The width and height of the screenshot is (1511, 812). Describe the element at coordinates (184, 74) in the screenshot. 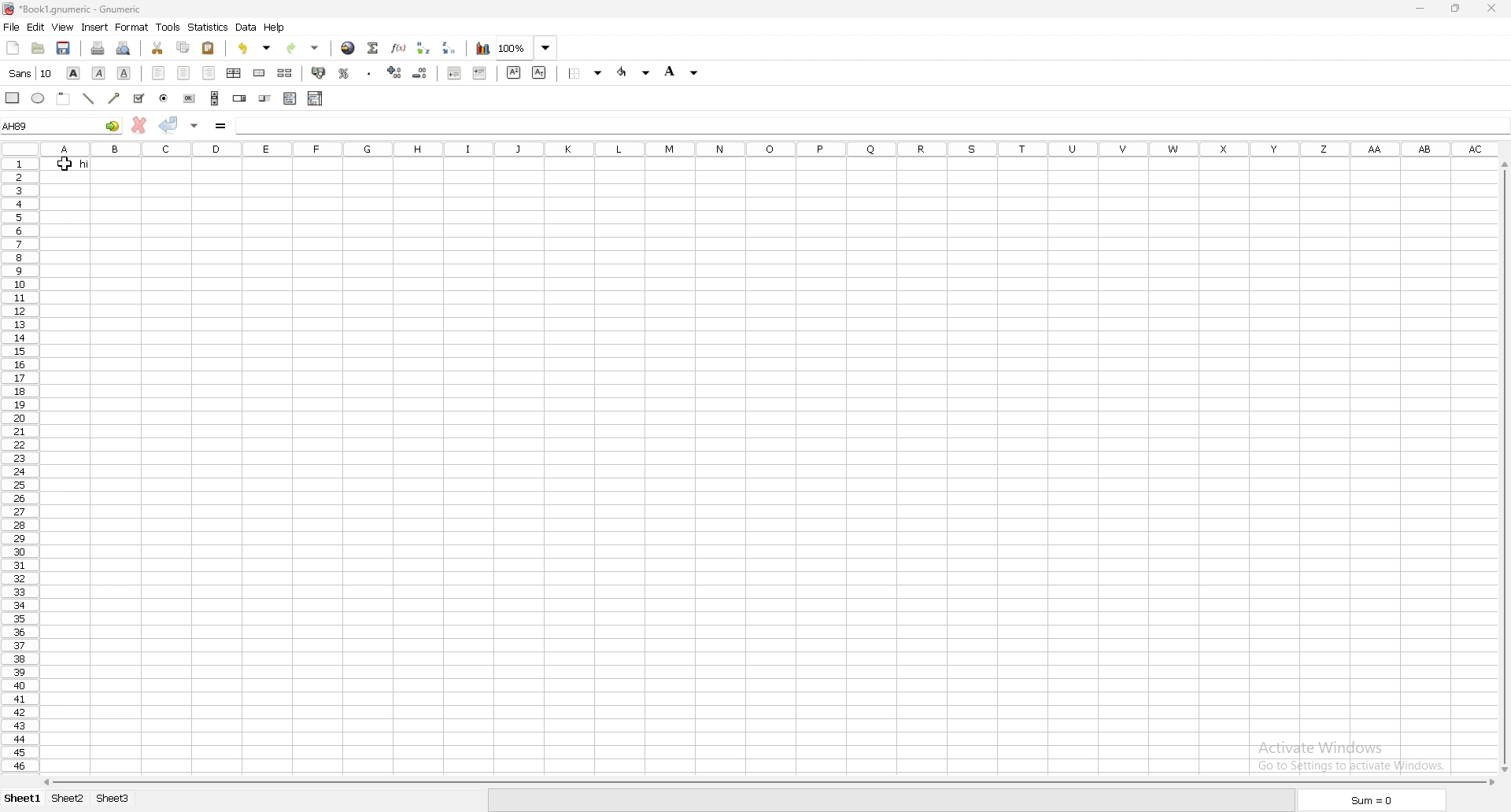

I see `align centre` at that location.